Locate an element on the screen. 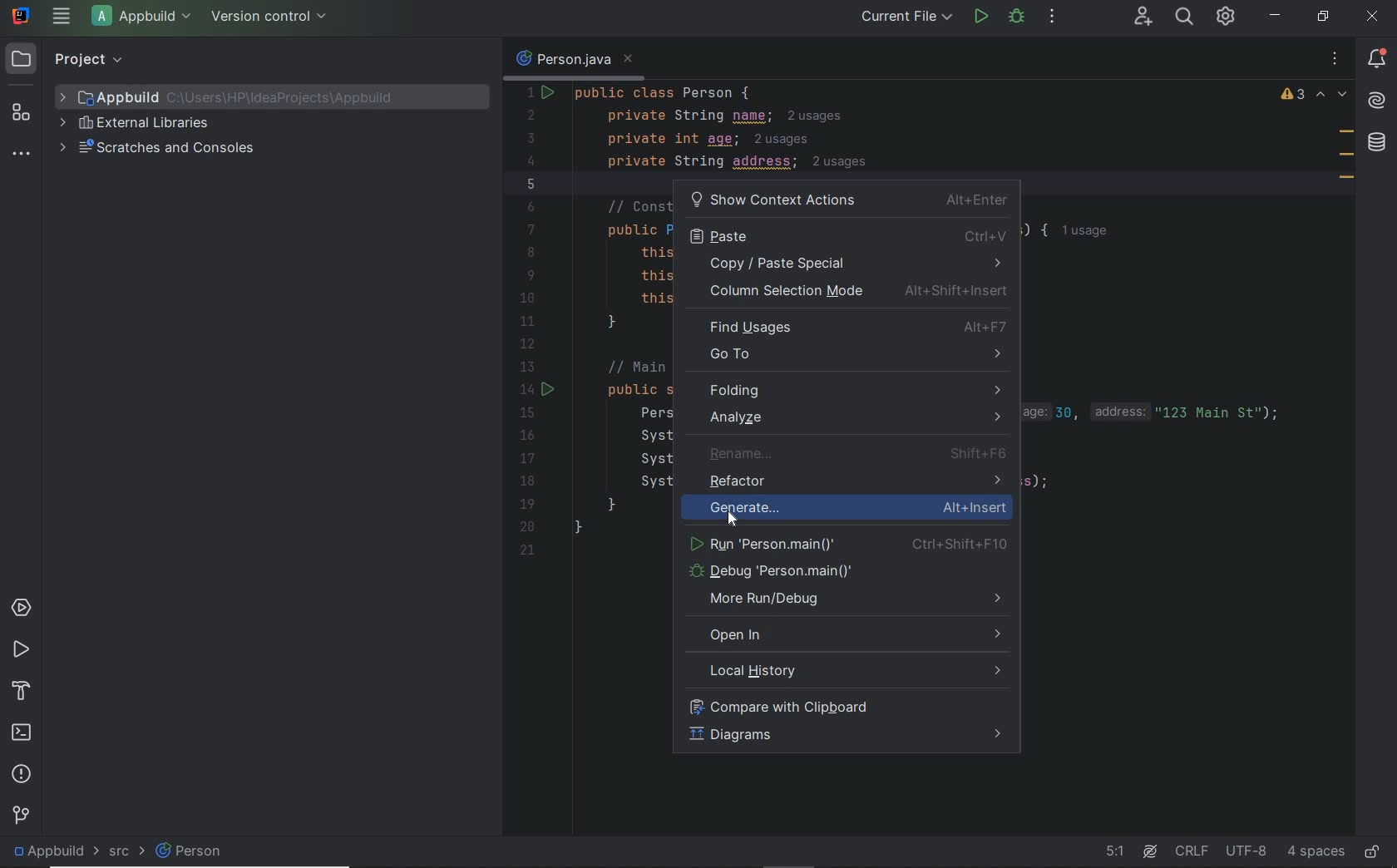  local history is located at coordinates (847, 672).